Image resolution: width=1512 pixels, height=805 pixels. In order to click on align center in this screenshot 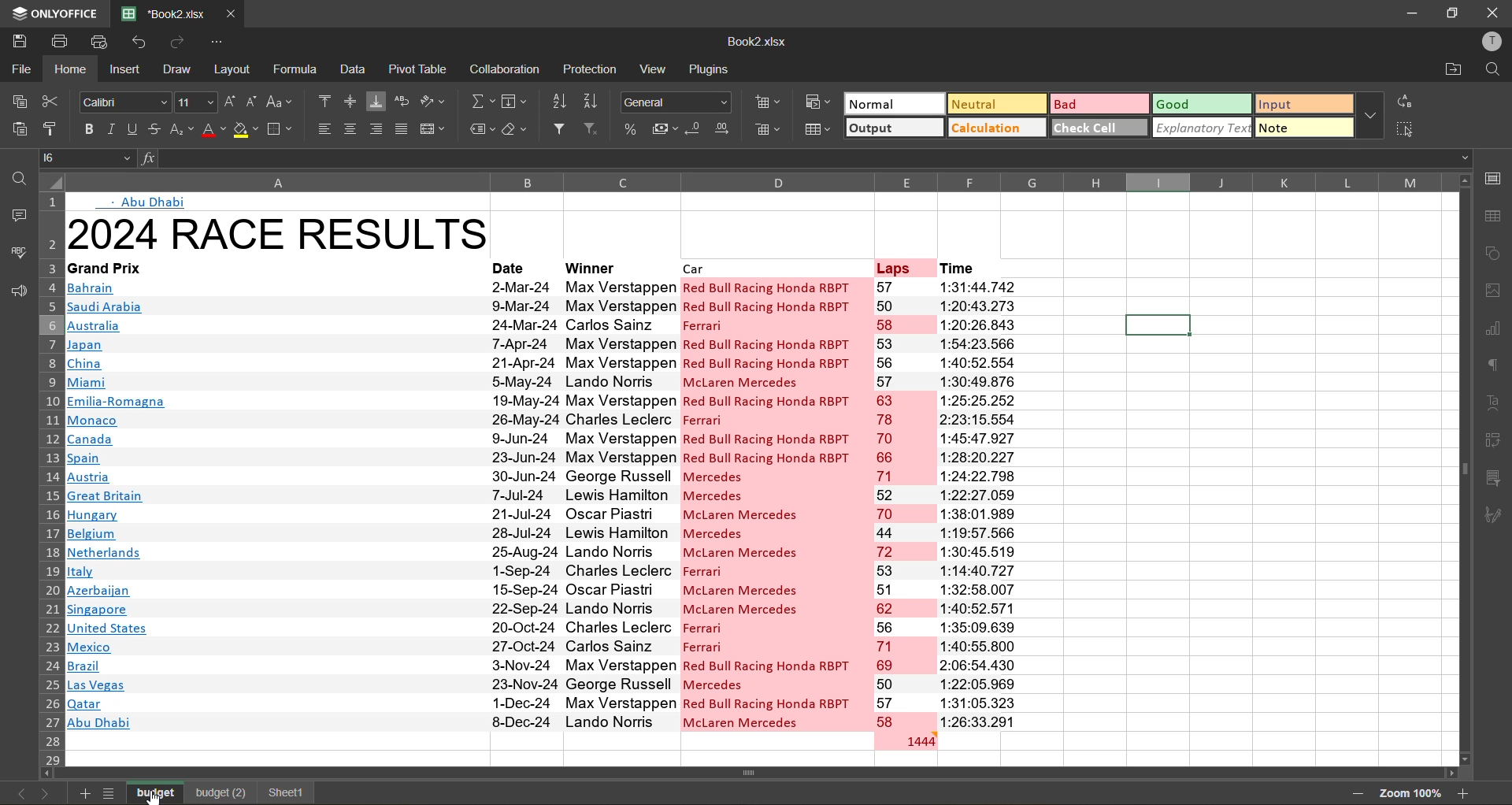, I will do `click(350, 129)`.